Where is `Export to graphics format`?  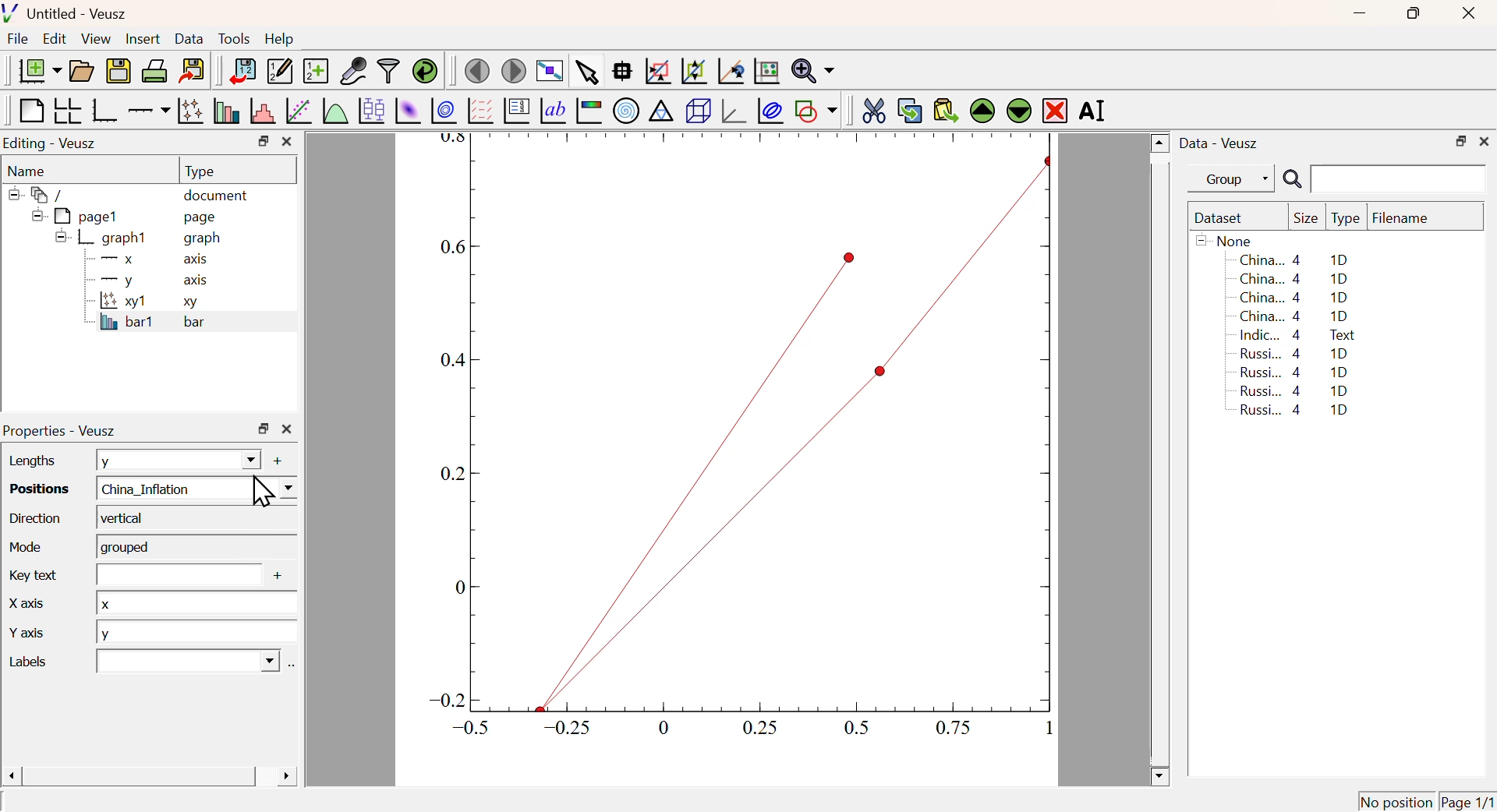
Export to graphics format is located at coordinates (193, 69).